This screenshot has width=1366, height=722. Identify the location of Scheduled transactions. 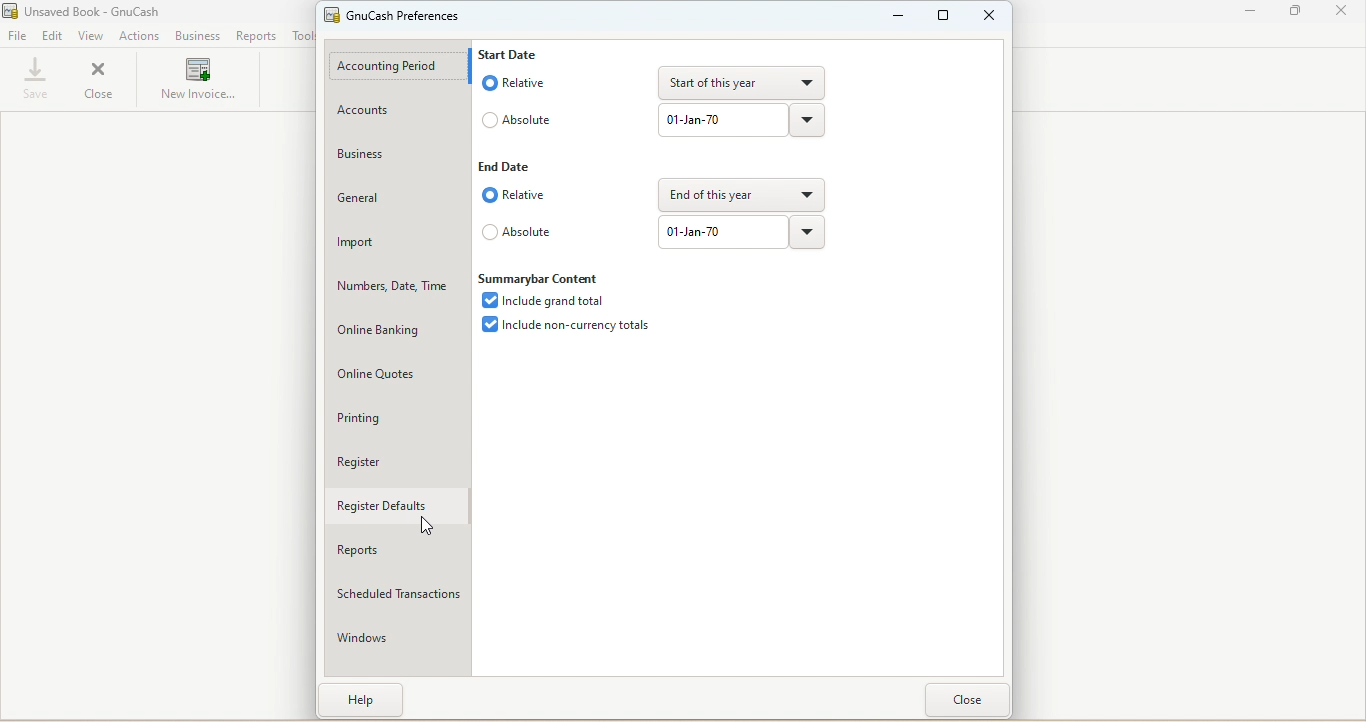
(398, 592).